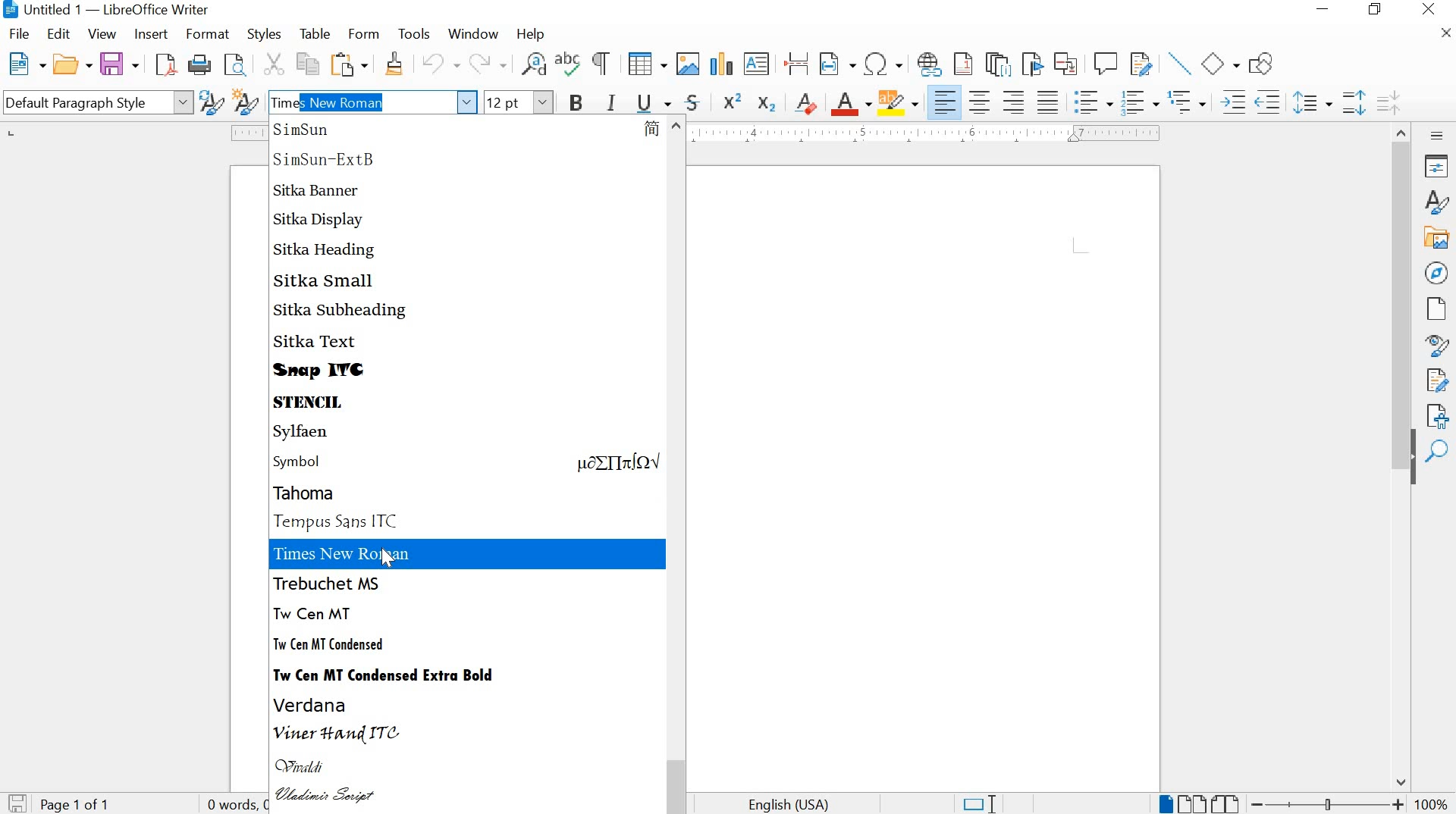 This screenshot has height=814, width=1456. Describe the element at coordinates (732, 101) in the screenshot. I see `SUPERSCRIPT` at that location.